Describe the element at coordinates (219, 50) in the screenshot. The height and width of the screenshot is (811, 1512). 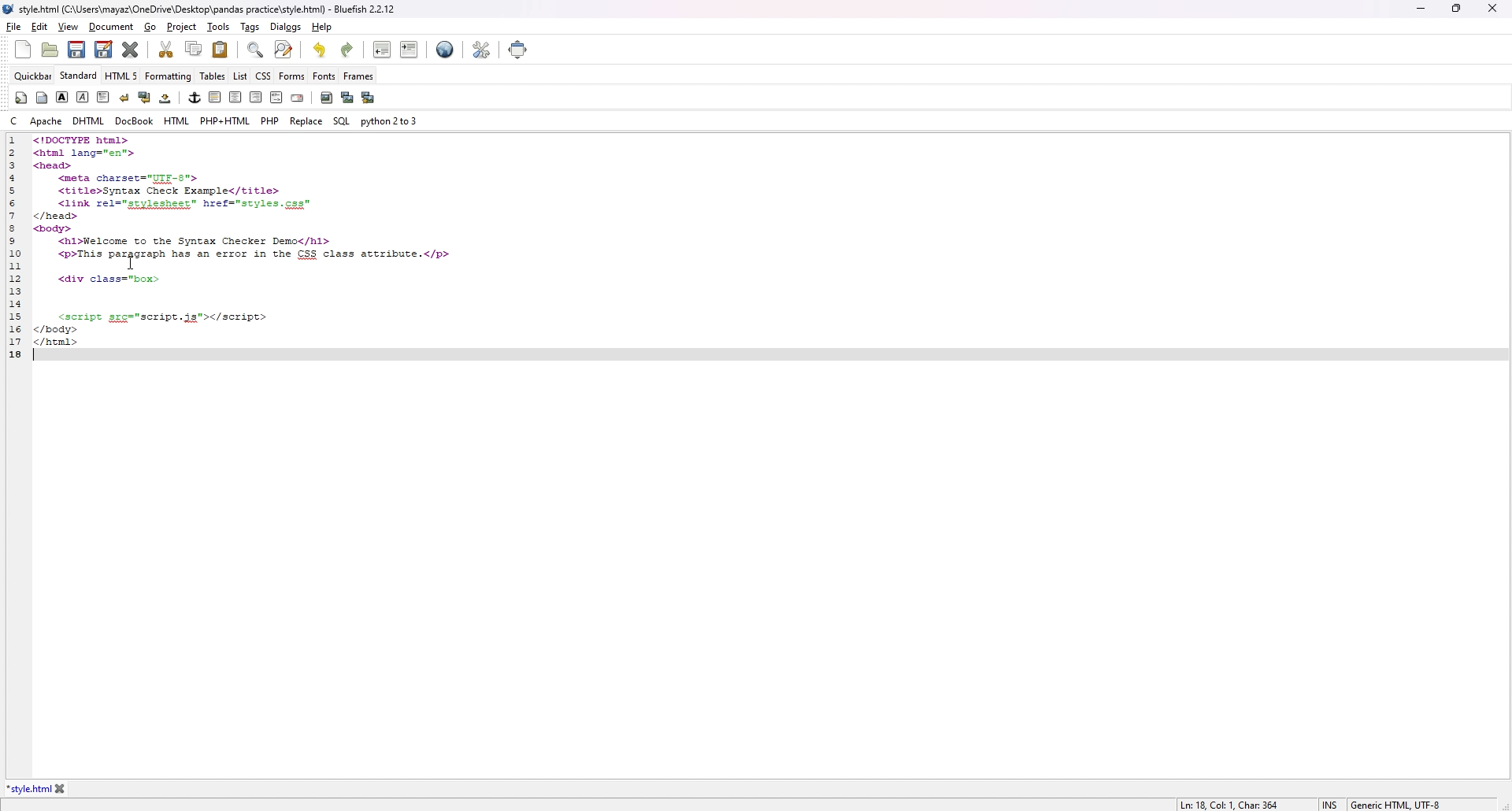
I see `paste` at that location.